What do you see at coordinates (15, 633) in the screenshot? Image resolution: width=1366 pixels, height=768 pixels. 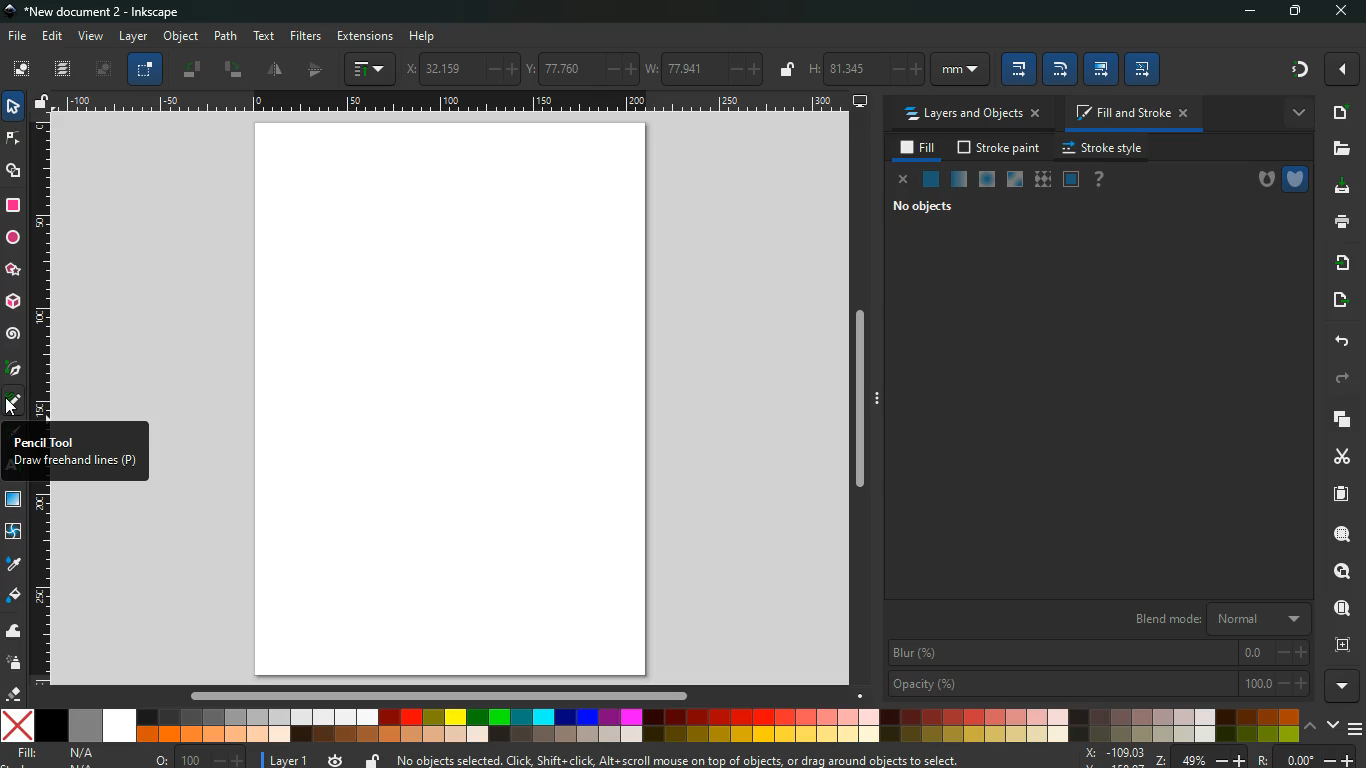 I see `wave` at bounding box center [15, 633].